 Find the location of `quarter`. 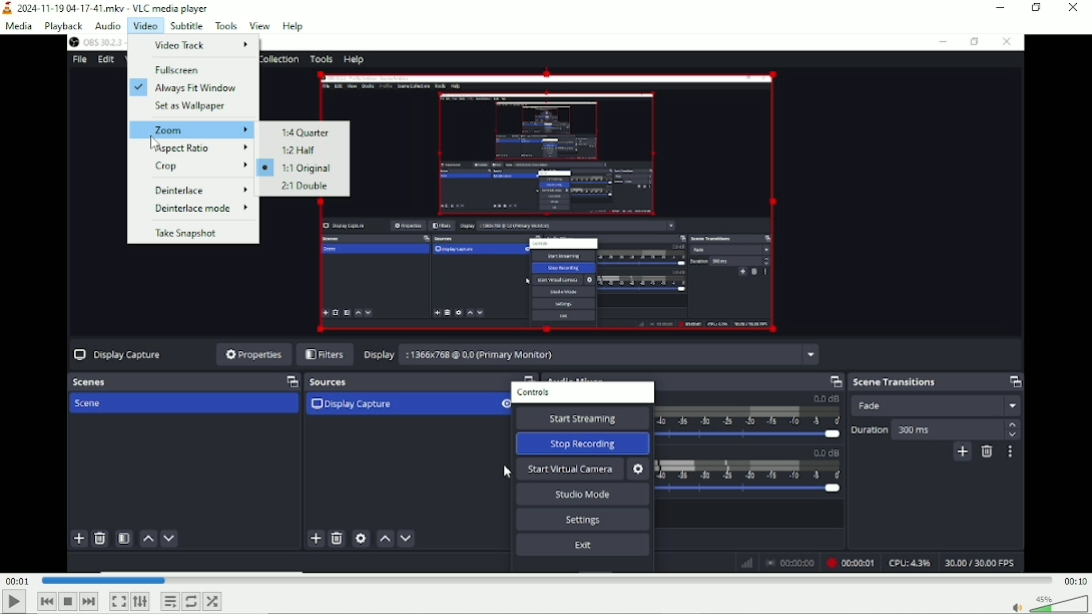

quarter is located at coordinates (303, 132).